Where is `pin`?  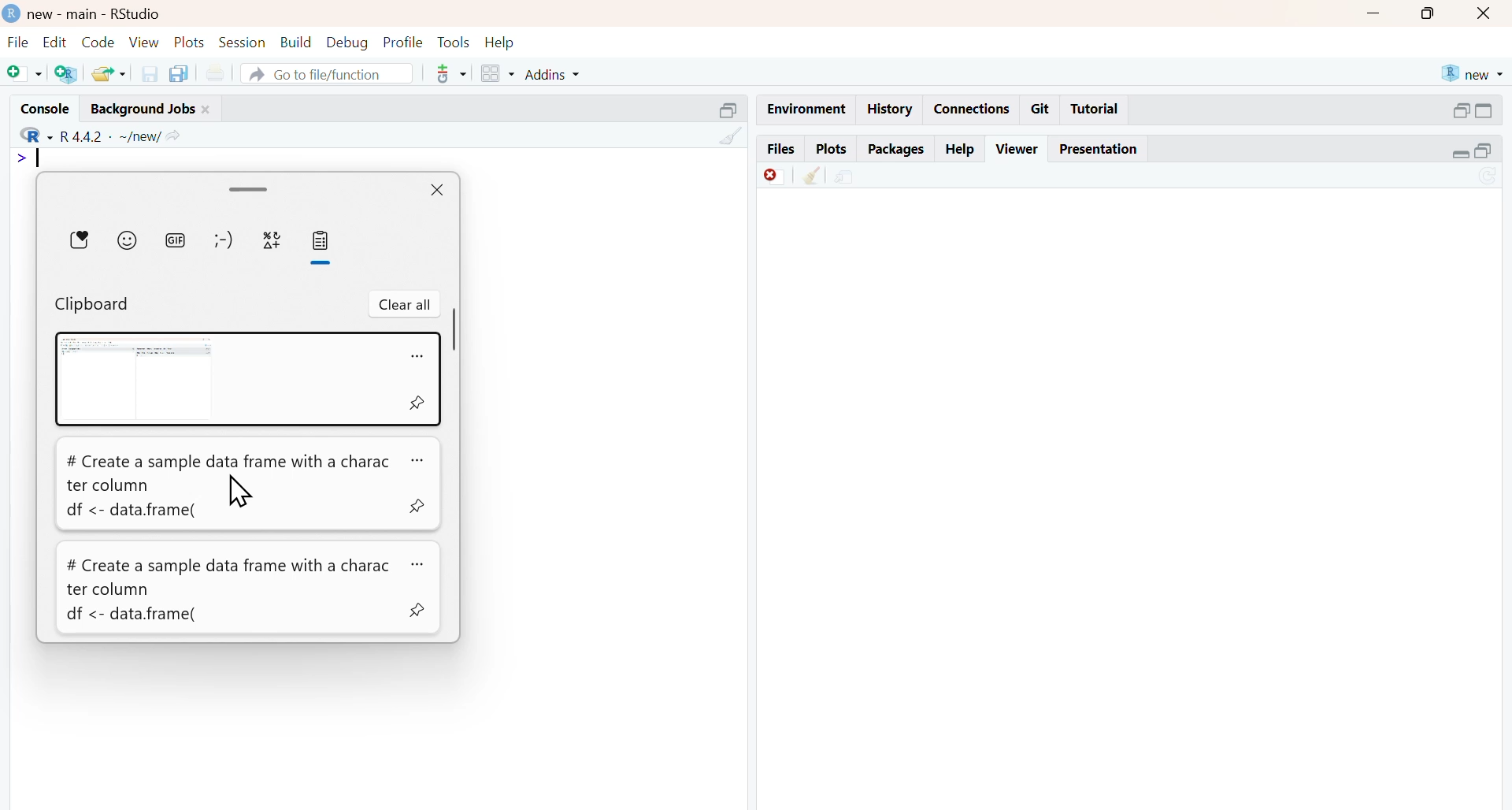
pin is located at coordinates (418, 611).